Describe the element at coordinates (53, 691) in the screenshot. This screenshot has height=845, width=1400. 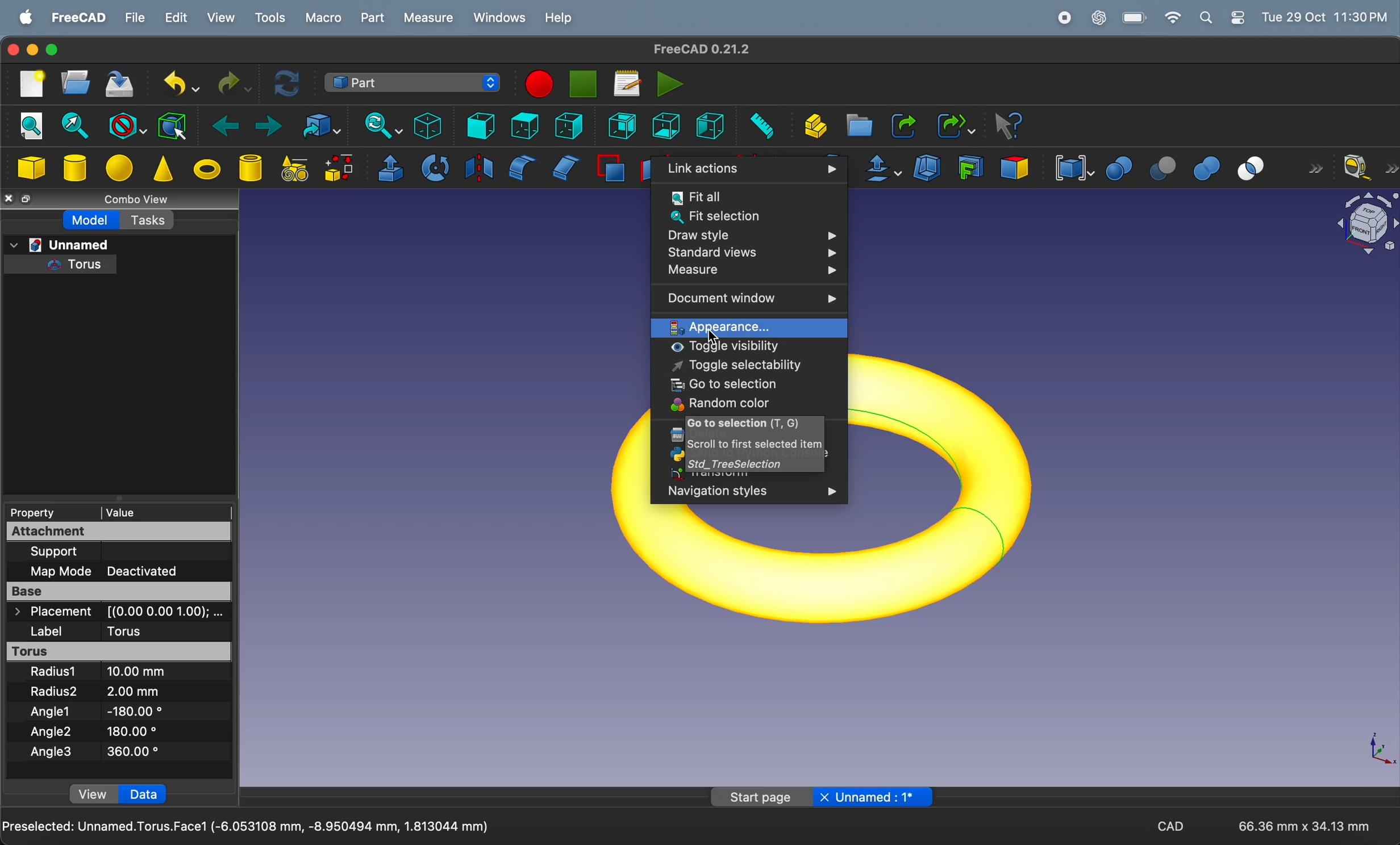
I see `Radius 2` at that location.